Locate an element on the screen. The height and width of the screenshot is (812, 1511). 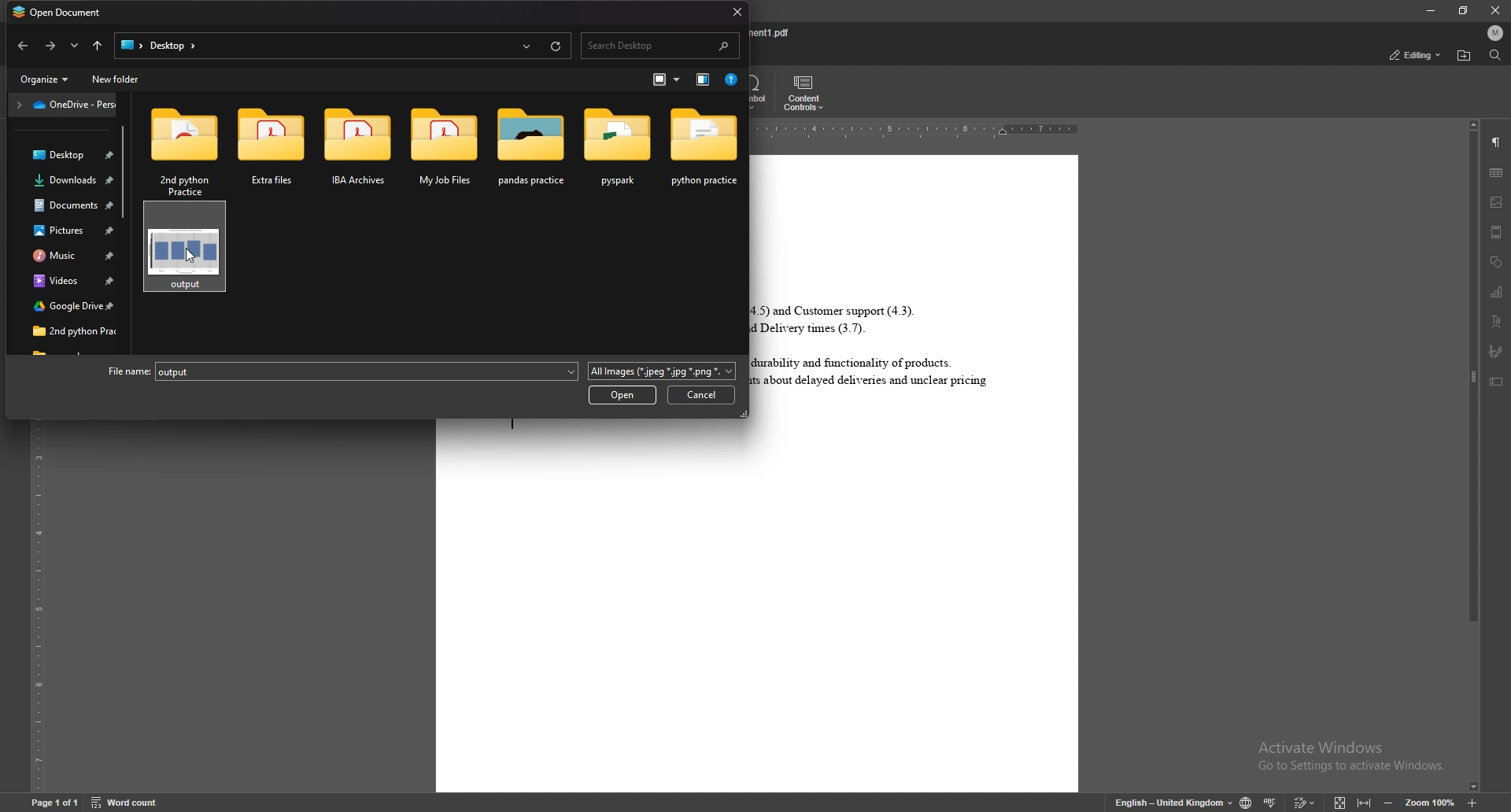
status is located at coordinates (1413, 54).